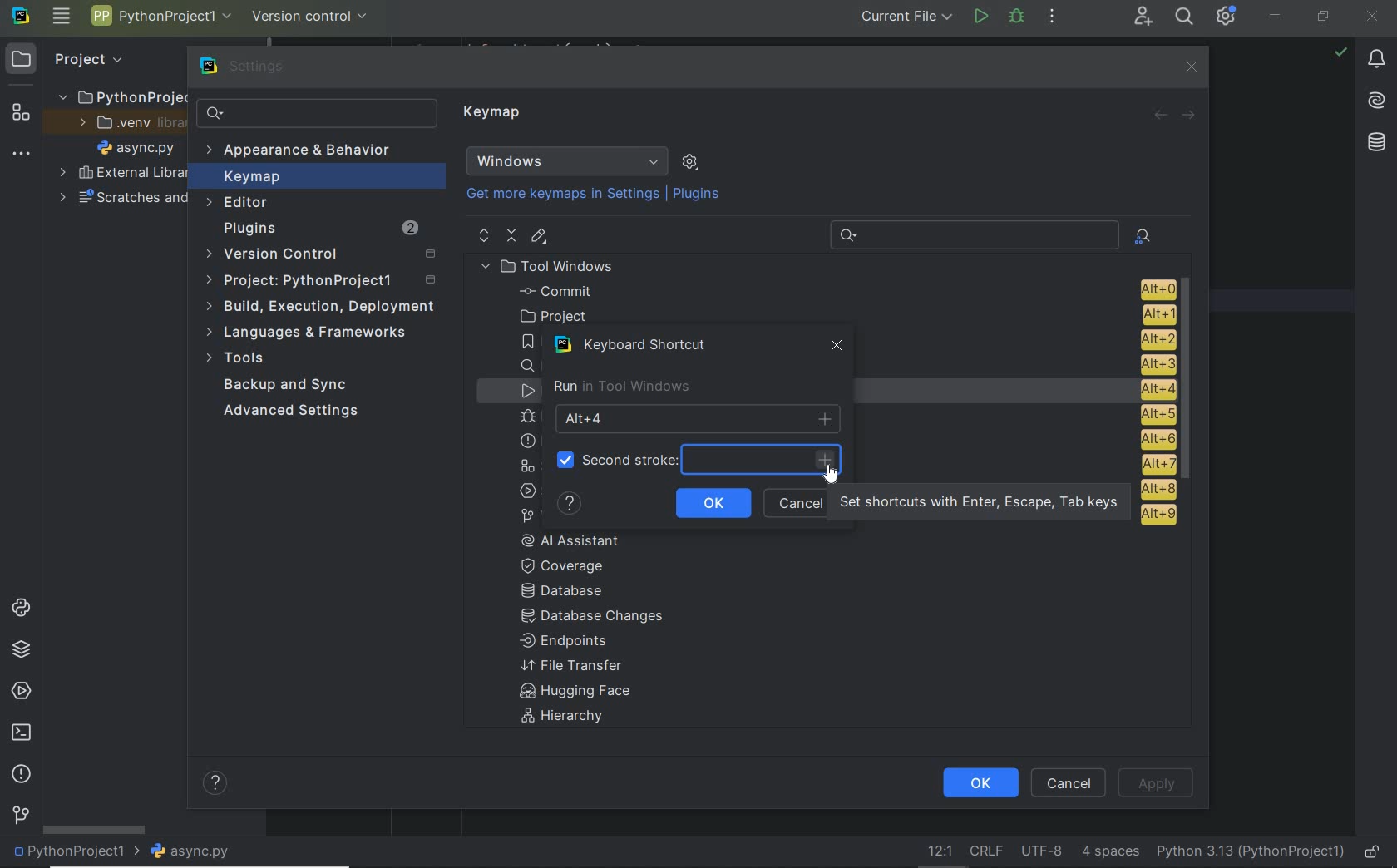 Image resolution: width=1397 pixels, height=868 pixels. What do you see at coordinates (317, 113) in the screenshot?
I see `search settings` at bounding box center [317, 113].